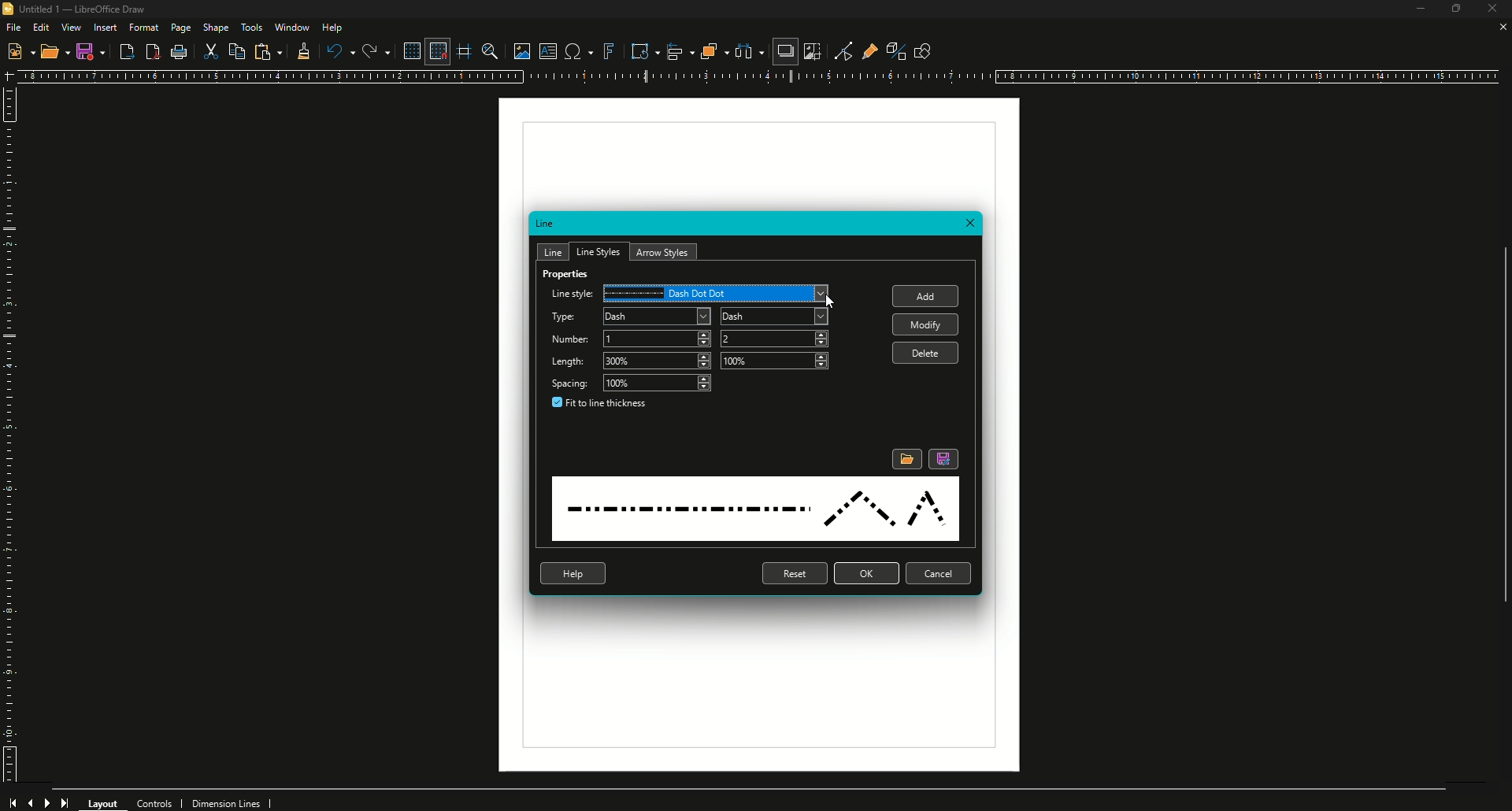 This screenshot has height=811, width=1512. What do you see at coordinates (567, 277) in the screenshot?
I see `Properties` at bounding box center [567, 277].